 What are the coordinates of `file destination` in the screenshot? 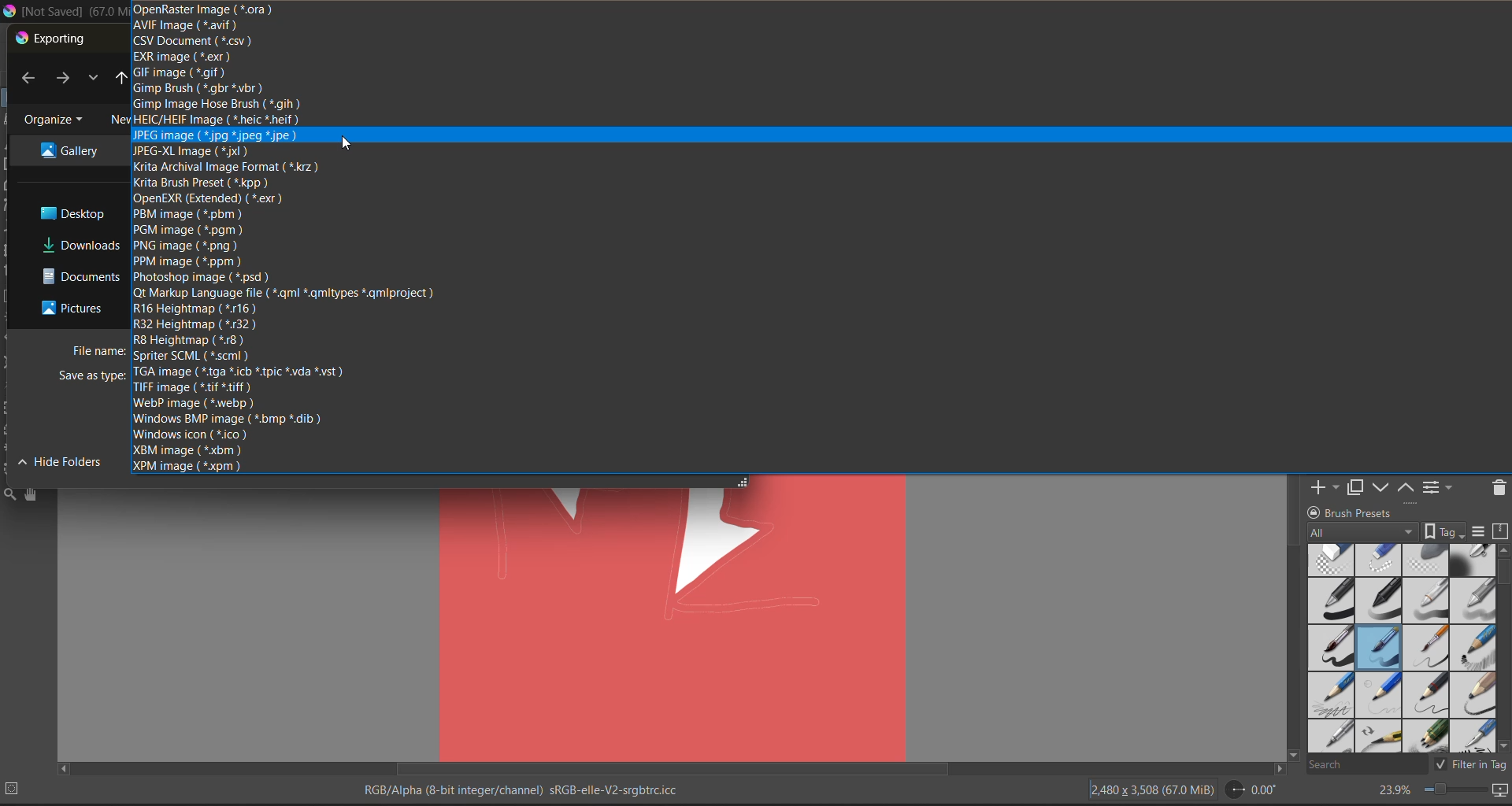 It's located at (70, 151).